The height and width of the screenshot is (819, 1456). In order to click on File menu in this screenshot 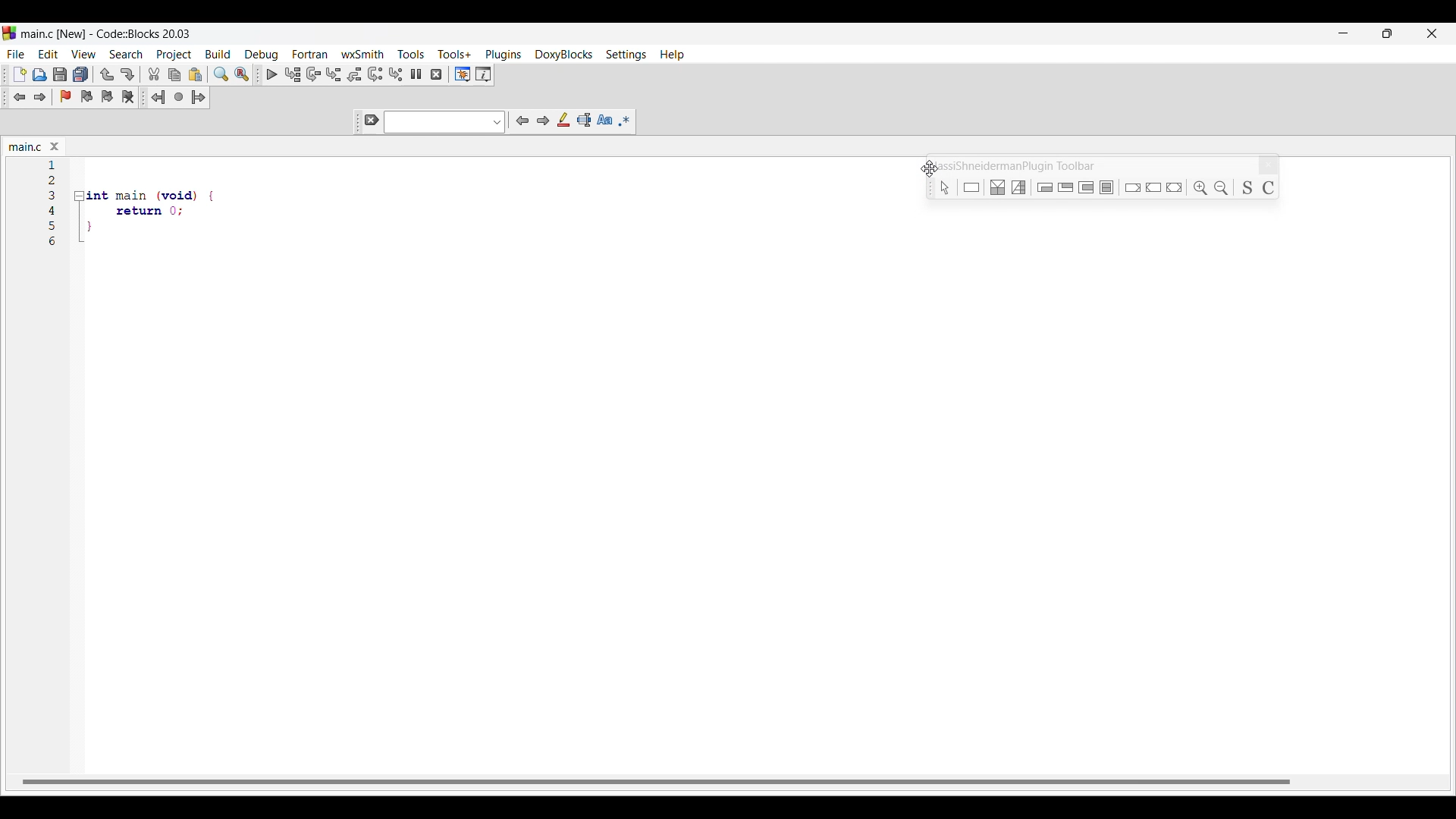, I will do `click(16, 55)`.